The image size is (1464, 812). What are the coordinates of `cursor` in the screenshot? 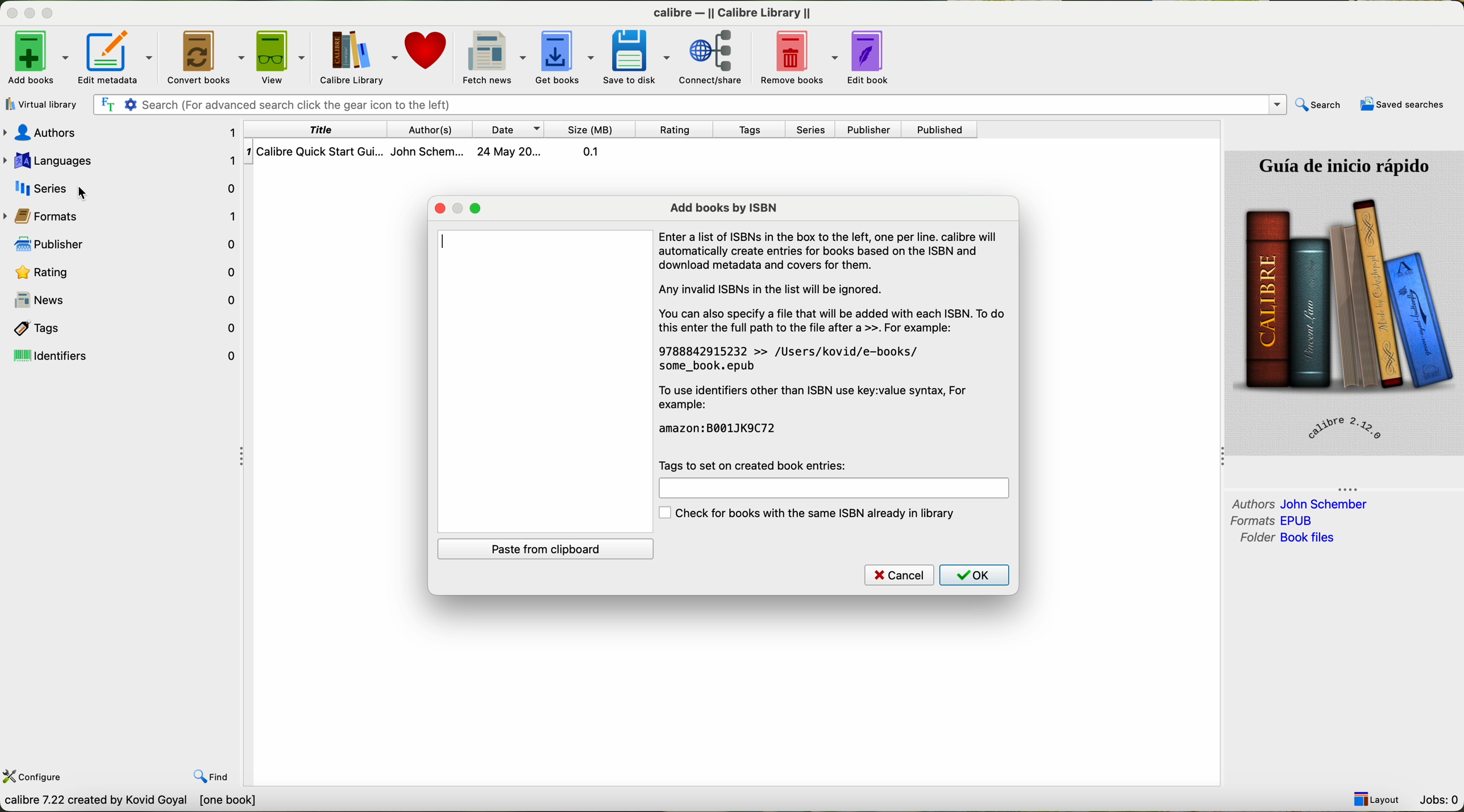 It's located at (80, 189).